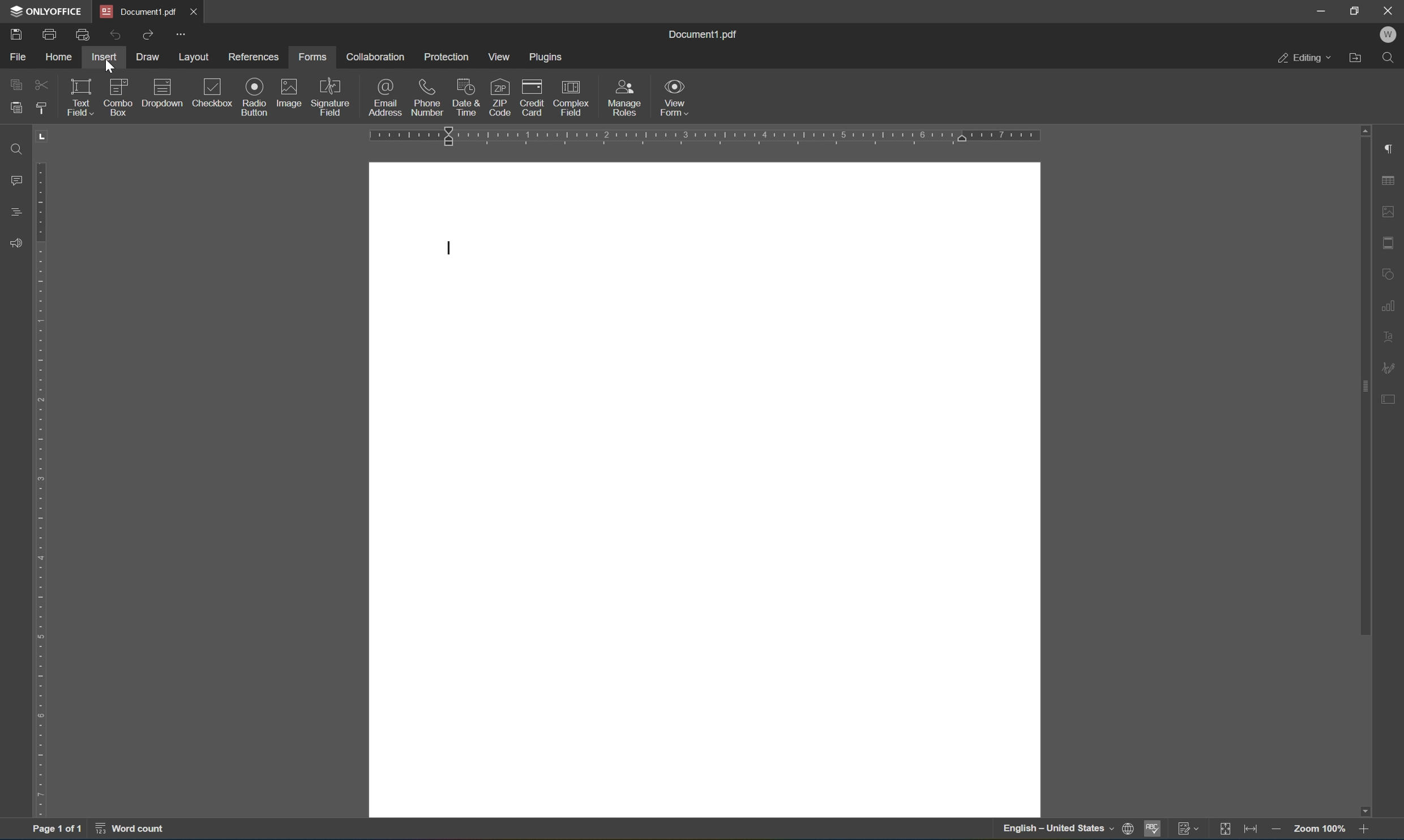  What do you see at coordinates (534, 99) in the screenshot?
I see `credit card` at bounding box center [534, 99].